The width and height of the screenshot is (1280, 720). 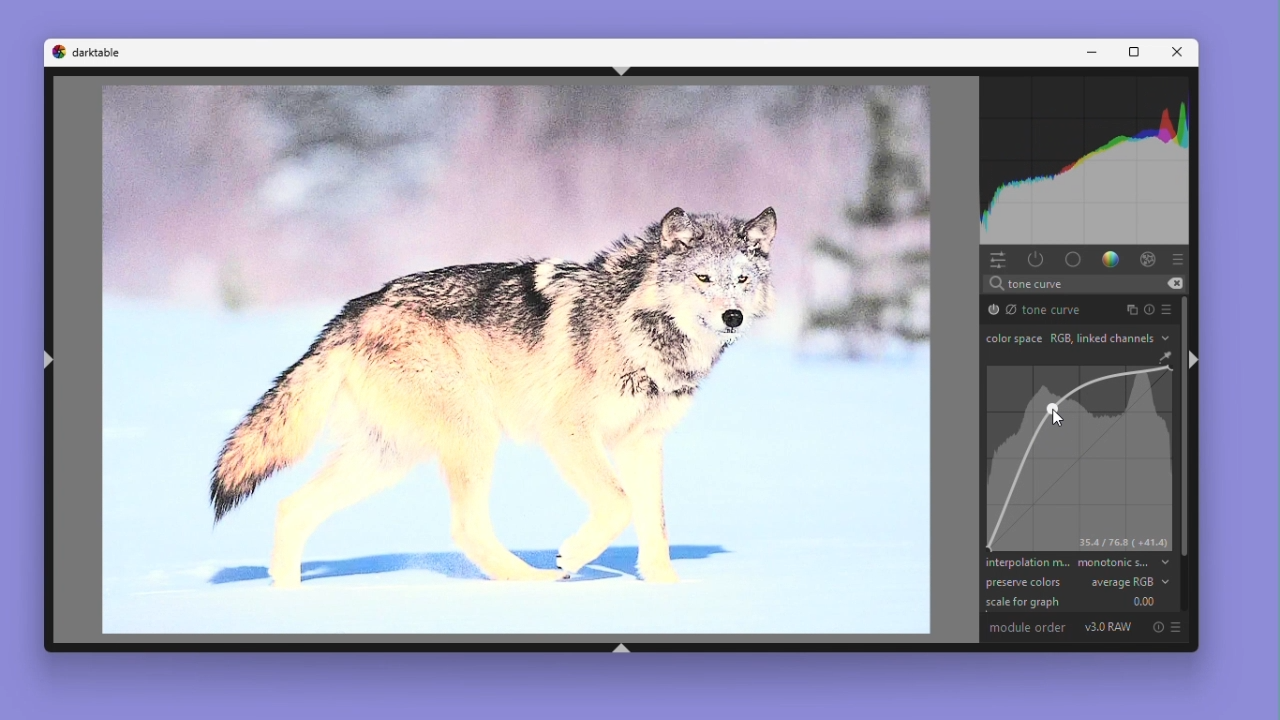 I want to click on Scale for graph, so click(x=1075, y=602).